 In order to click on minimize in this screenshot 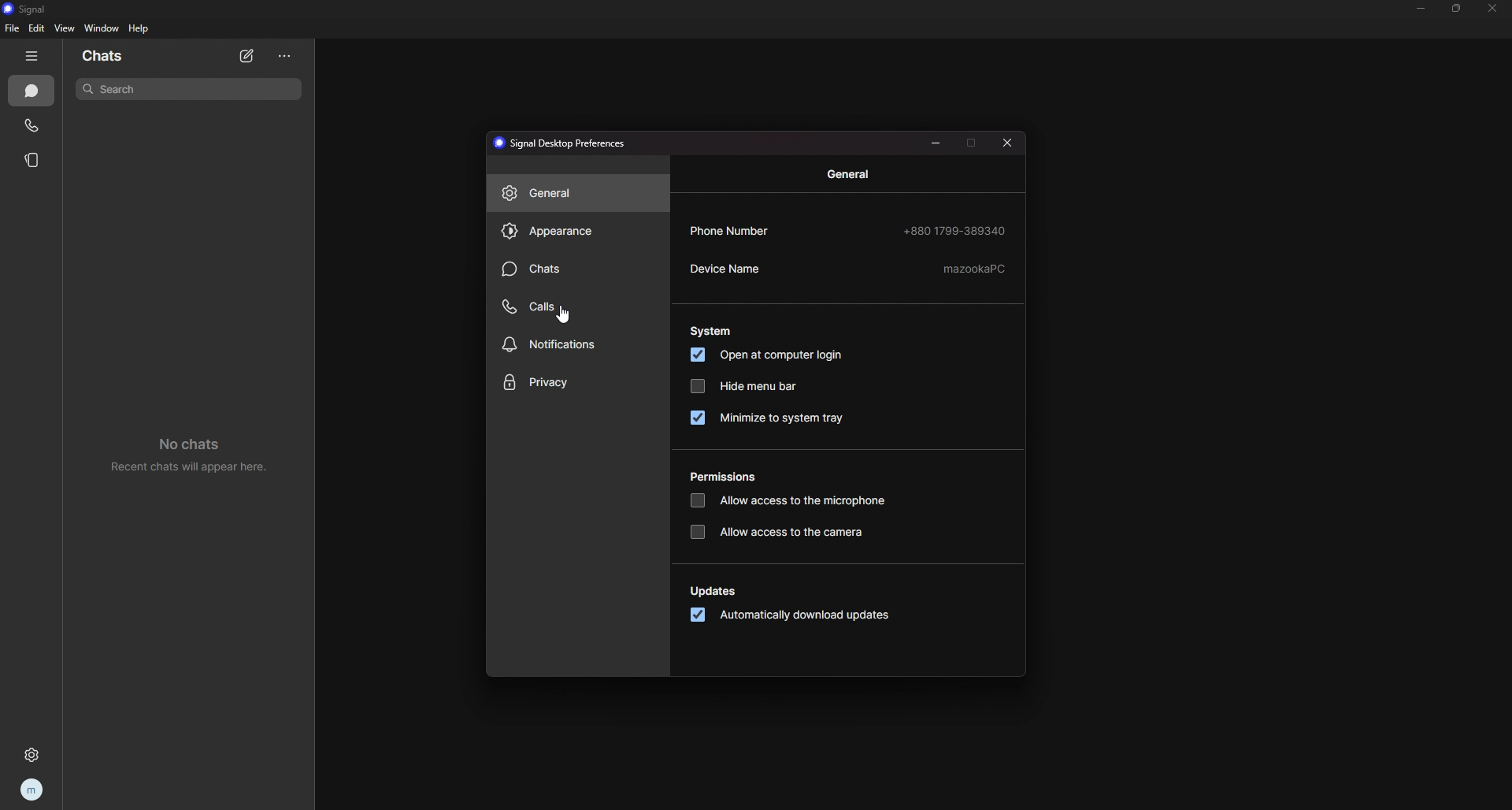, I will do `click(1421, 8)`.